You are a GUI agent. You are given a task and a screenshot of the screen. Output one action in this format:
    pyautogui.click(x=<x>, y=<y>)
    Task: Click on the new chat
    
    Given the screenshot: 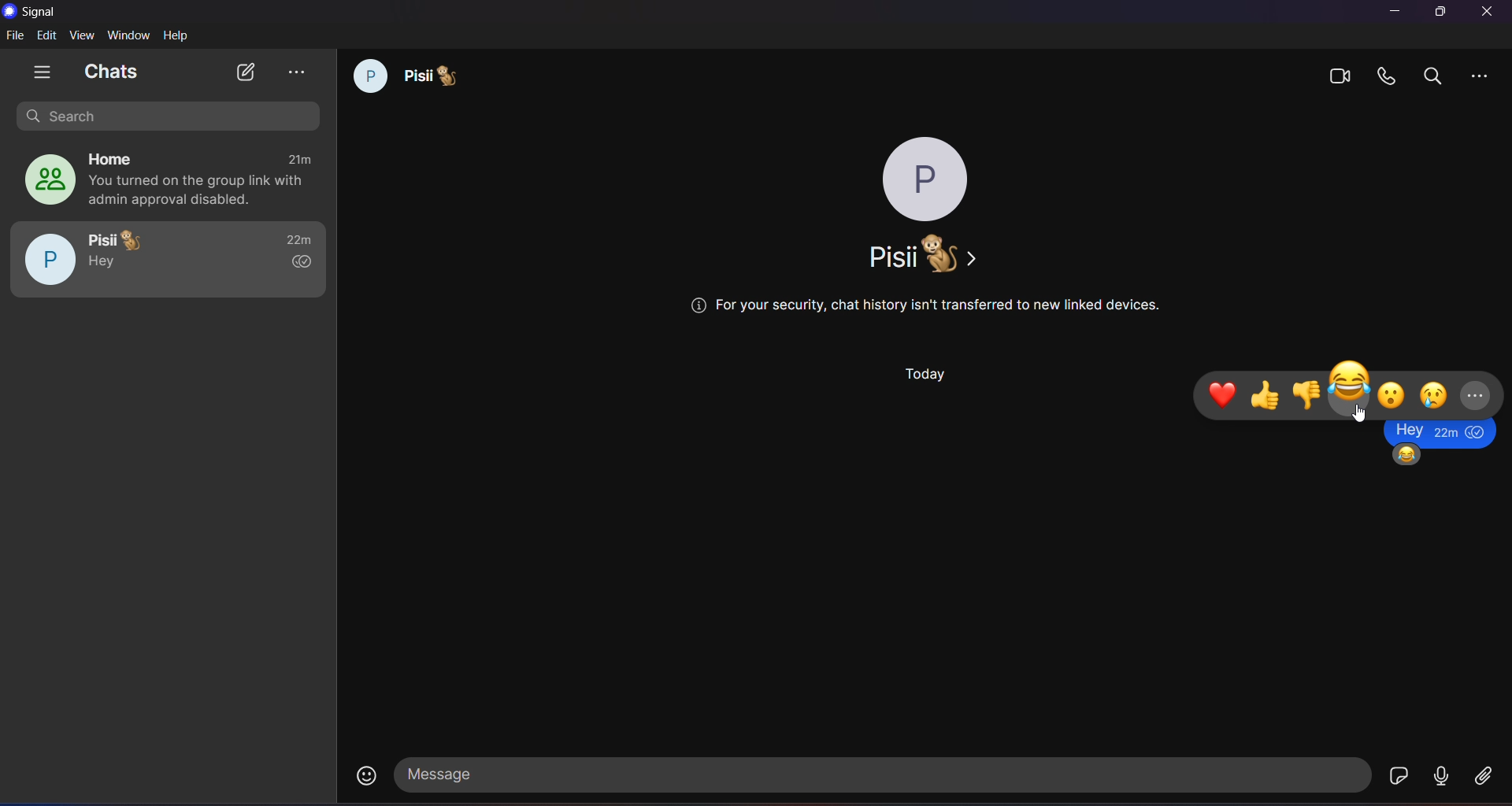 What is the action you would take?
    pyautogui.click(x=246, y=72)
    